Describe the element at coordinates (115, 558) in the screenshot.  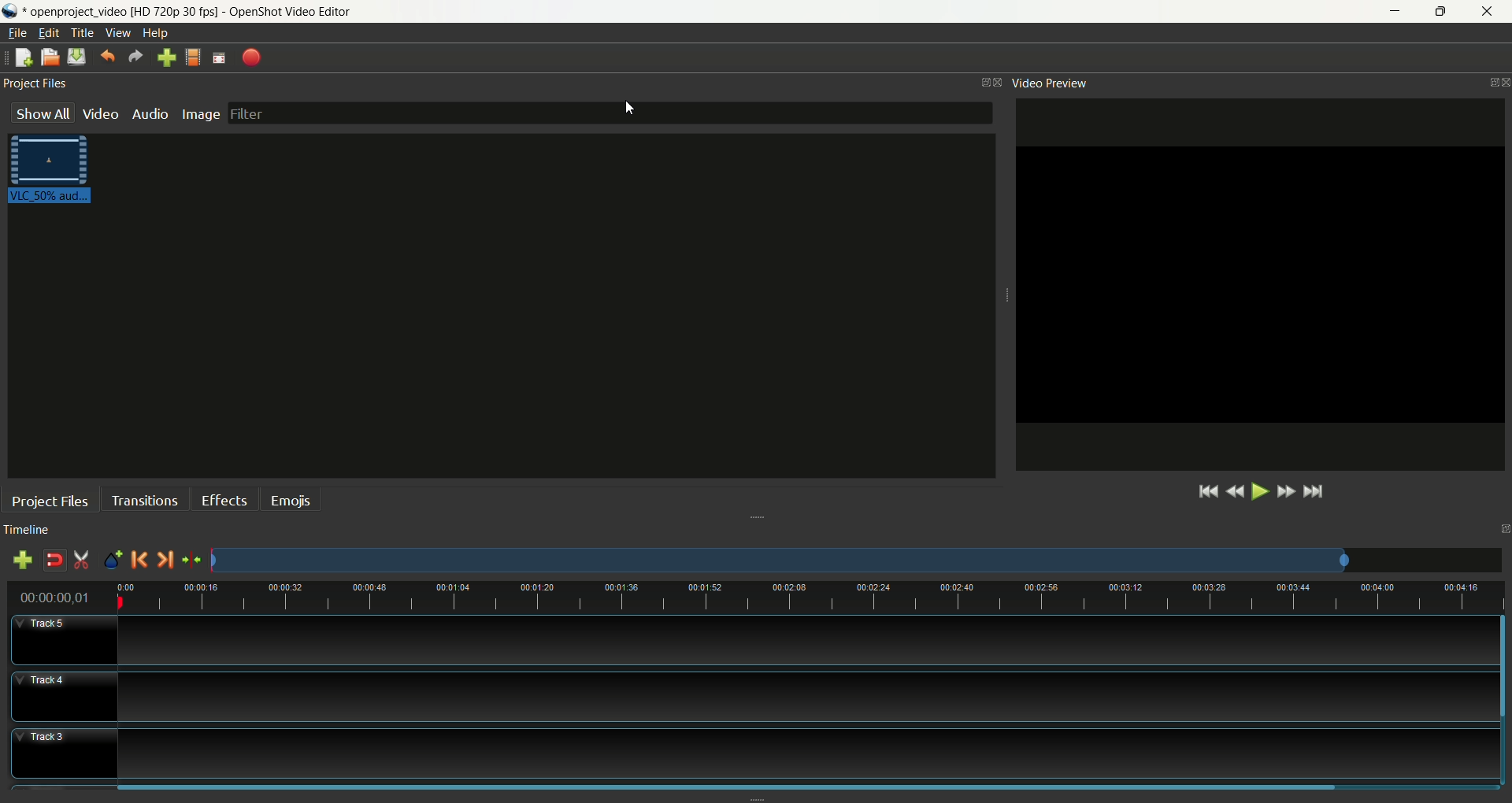
I see `add marker` at that location.